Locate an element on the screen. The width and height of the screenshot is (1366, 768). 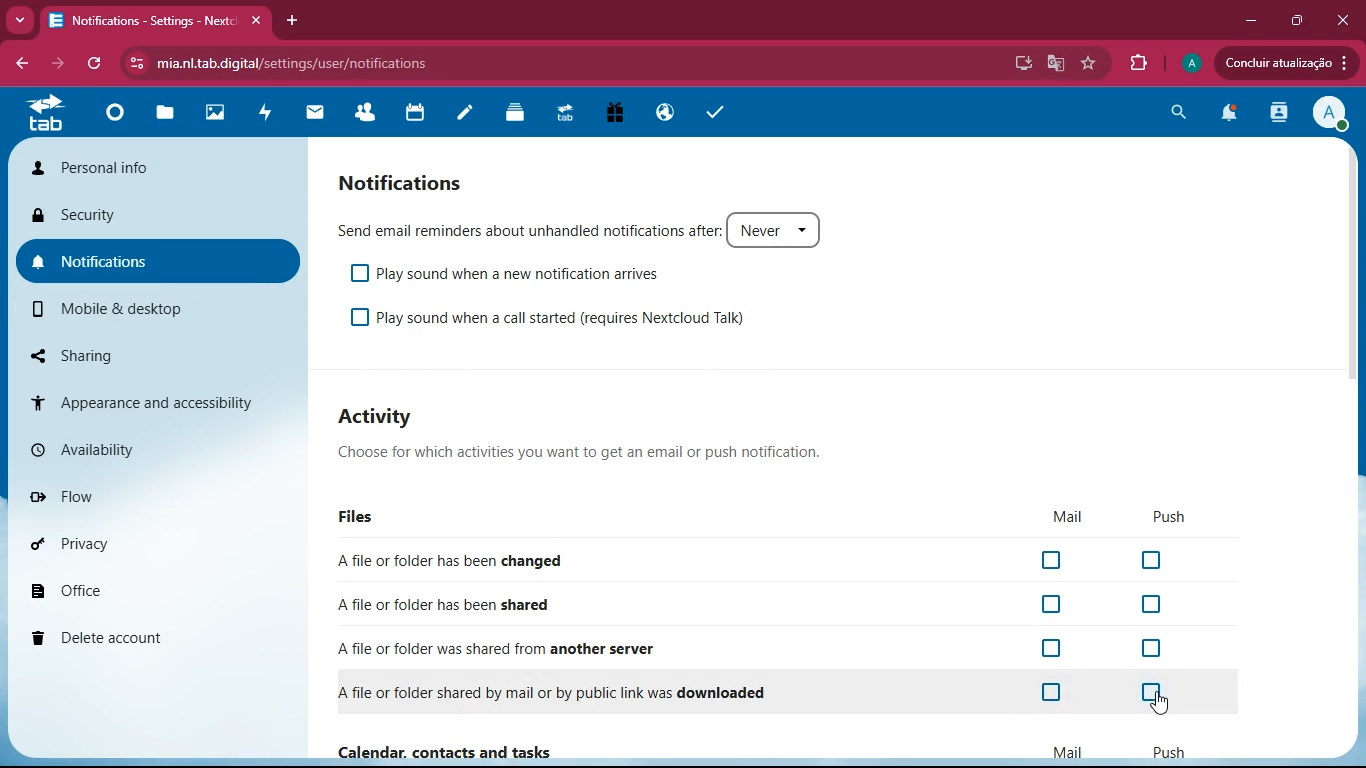
tasks is located at coordinates (715, 112).